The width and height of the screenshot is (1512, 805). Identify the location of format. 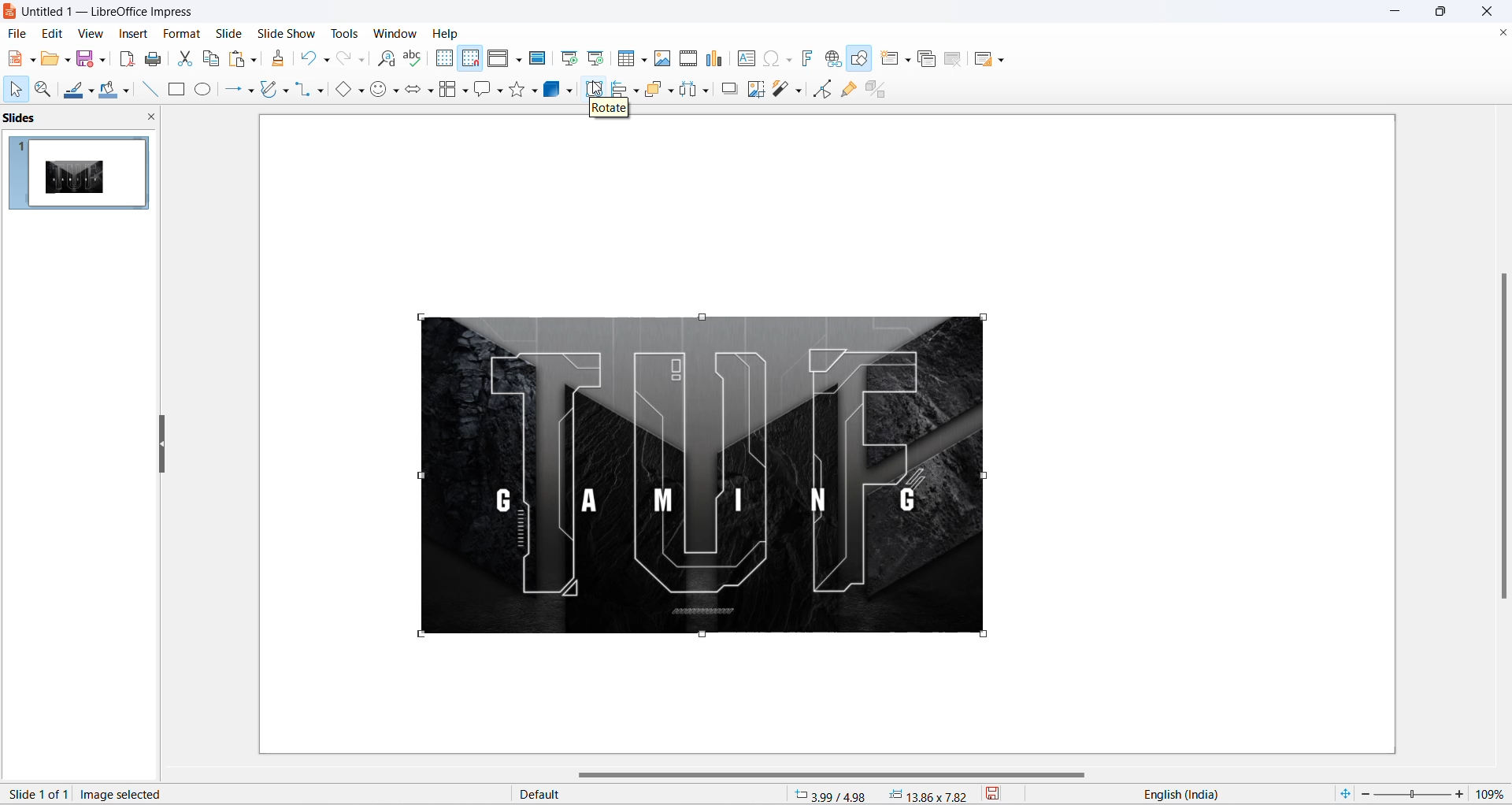
(179, 35).